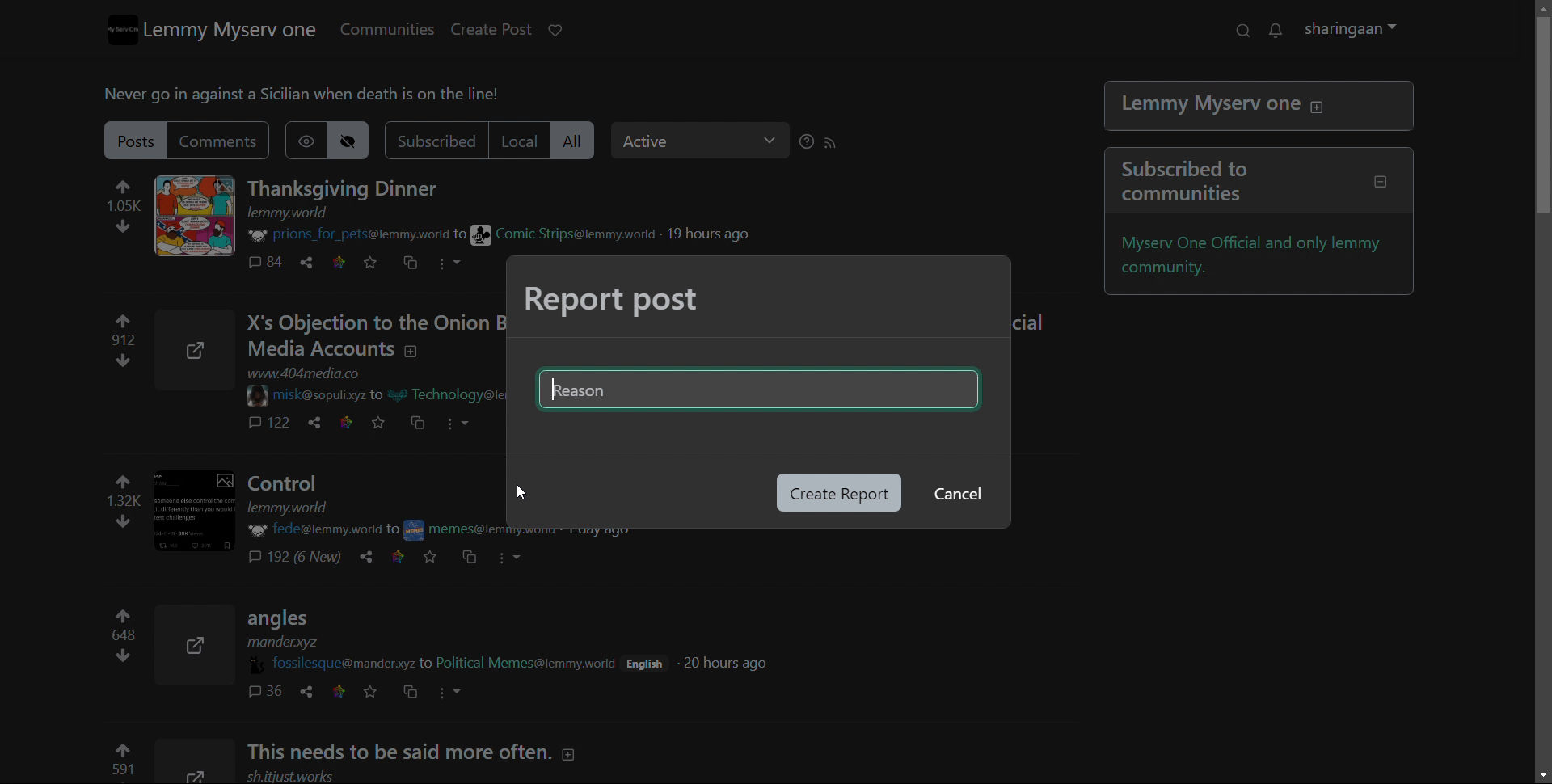 This screenshot has width=1552, height=784. What do you see at coordinates (360, 141) in the screenshot?
I see `hide posts` at bounding box center [360, 141].